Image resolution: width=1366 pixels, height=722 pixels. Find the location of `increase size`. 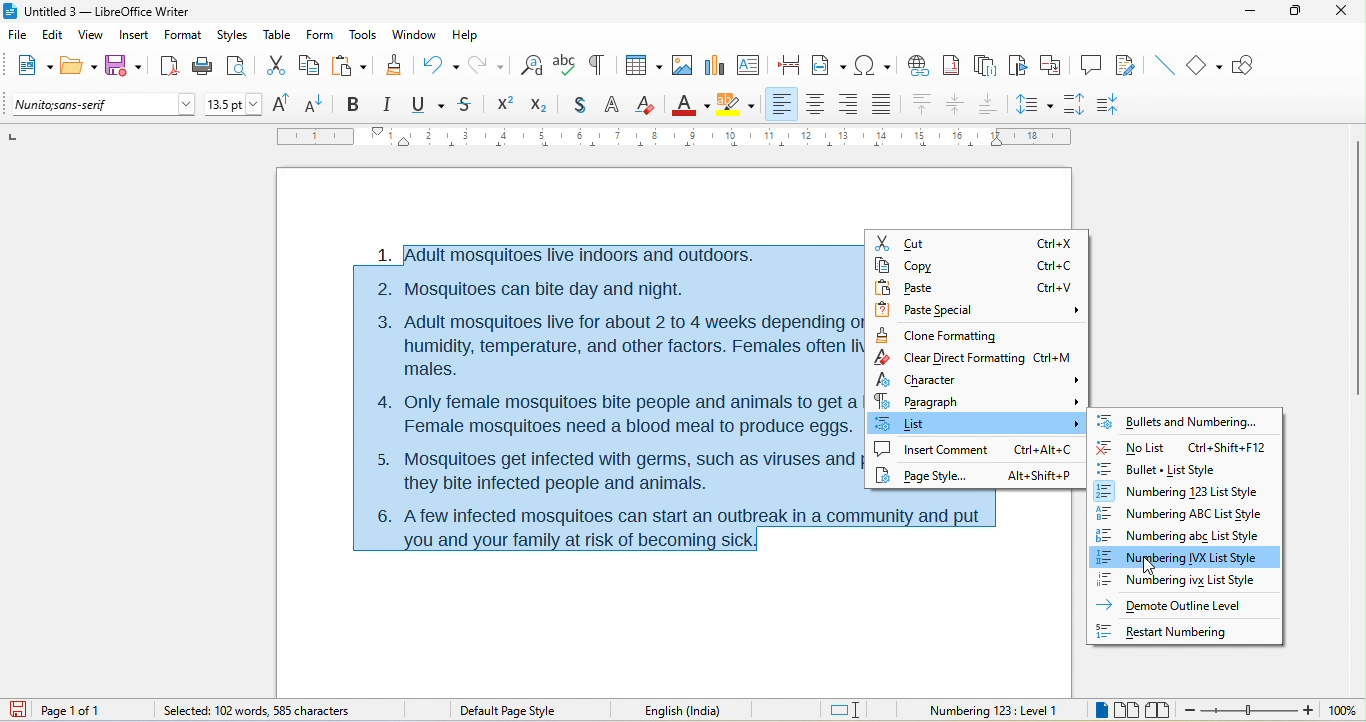

increase size is located at coordinates (285, 104).